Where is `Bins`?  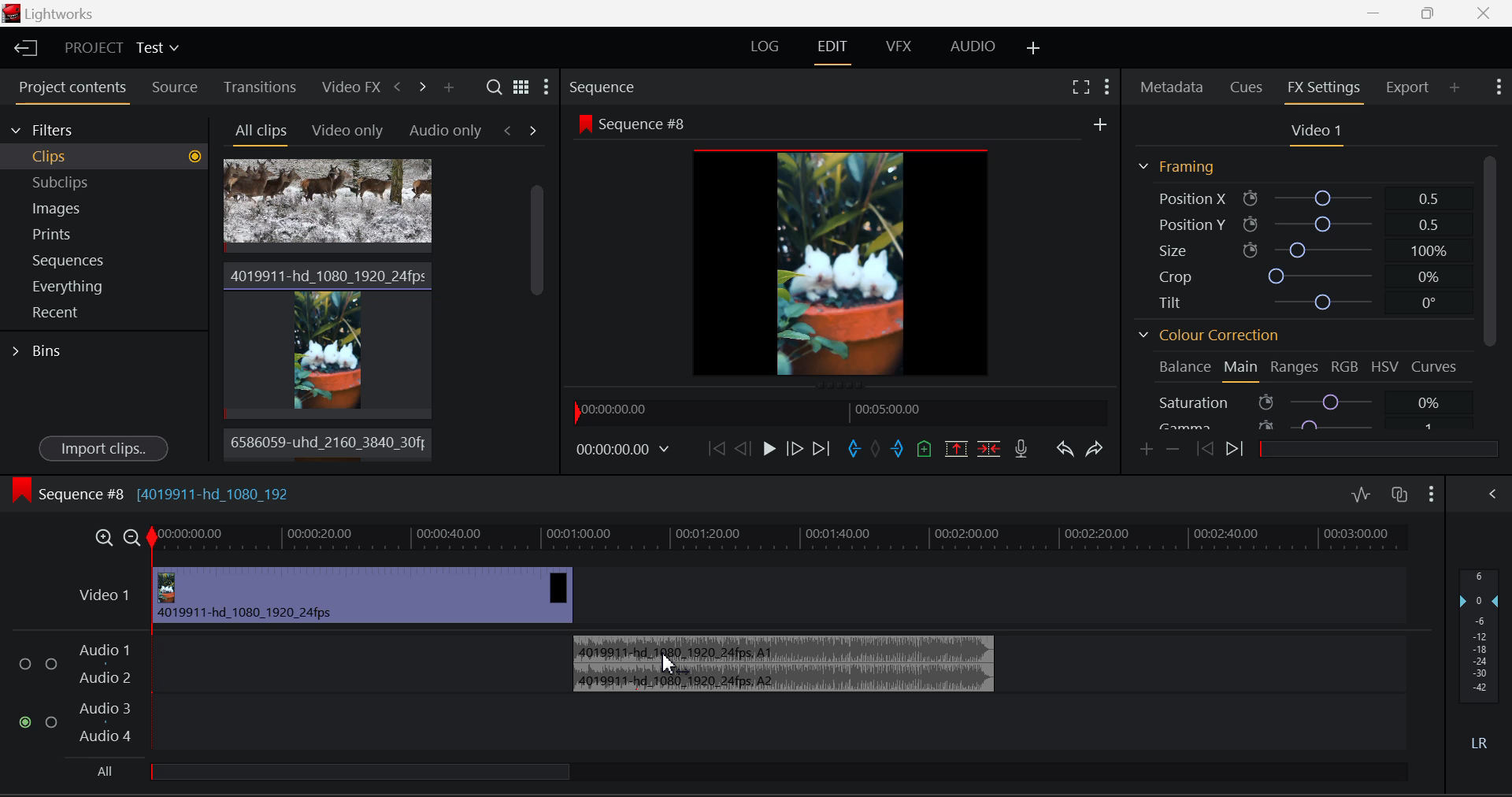
Bins is located at coordinates (38, 353).